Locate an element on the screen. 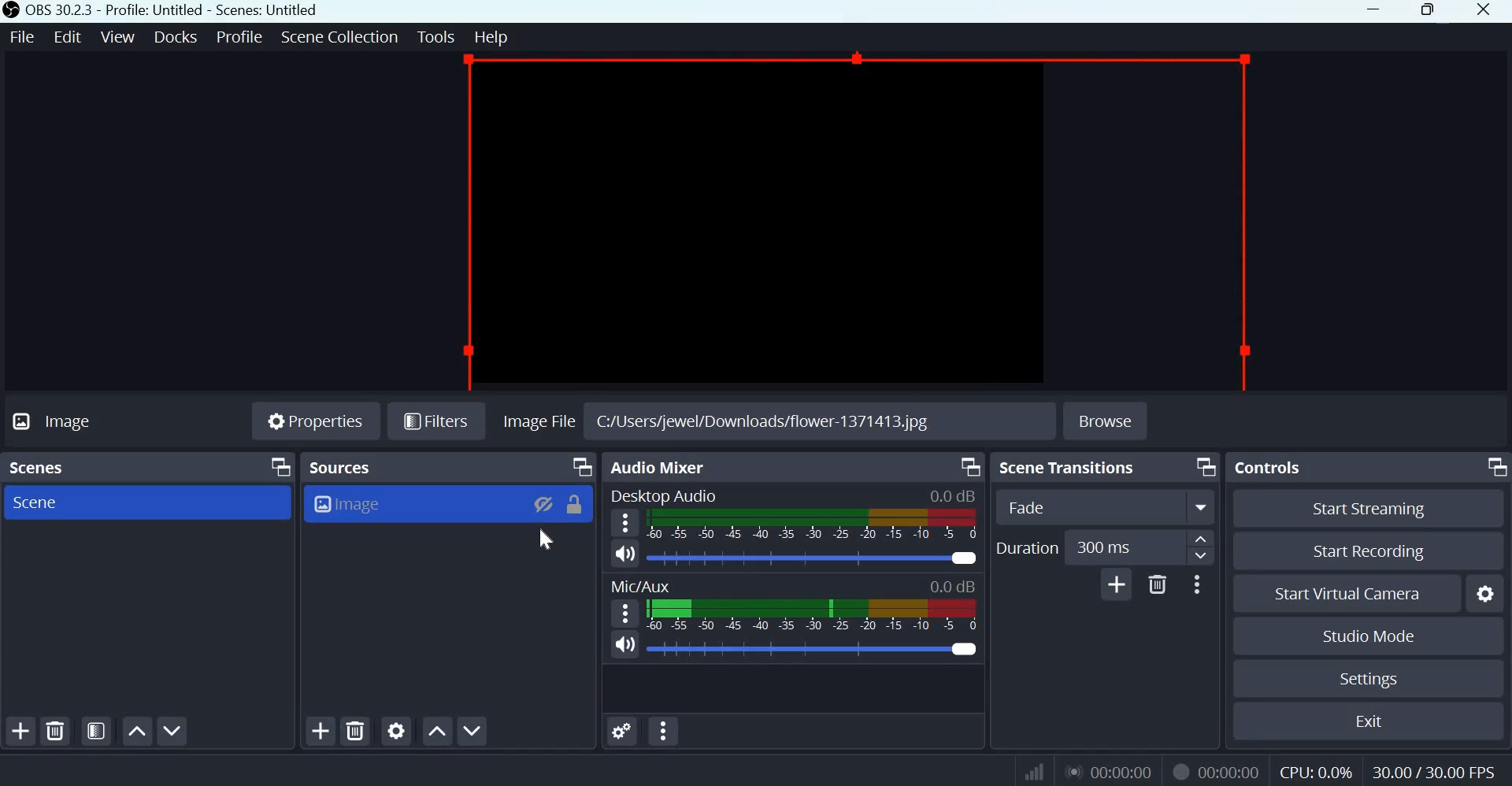  Speaker icon is located at coordinates (625, 553).